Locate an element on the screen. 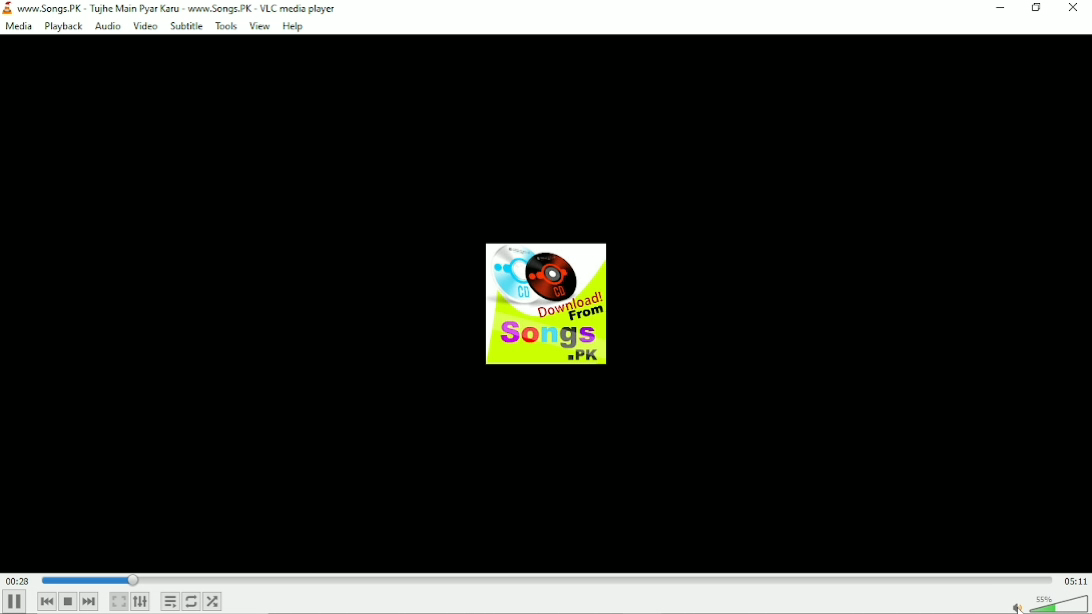  Close is located at coordinates (1073, 10).